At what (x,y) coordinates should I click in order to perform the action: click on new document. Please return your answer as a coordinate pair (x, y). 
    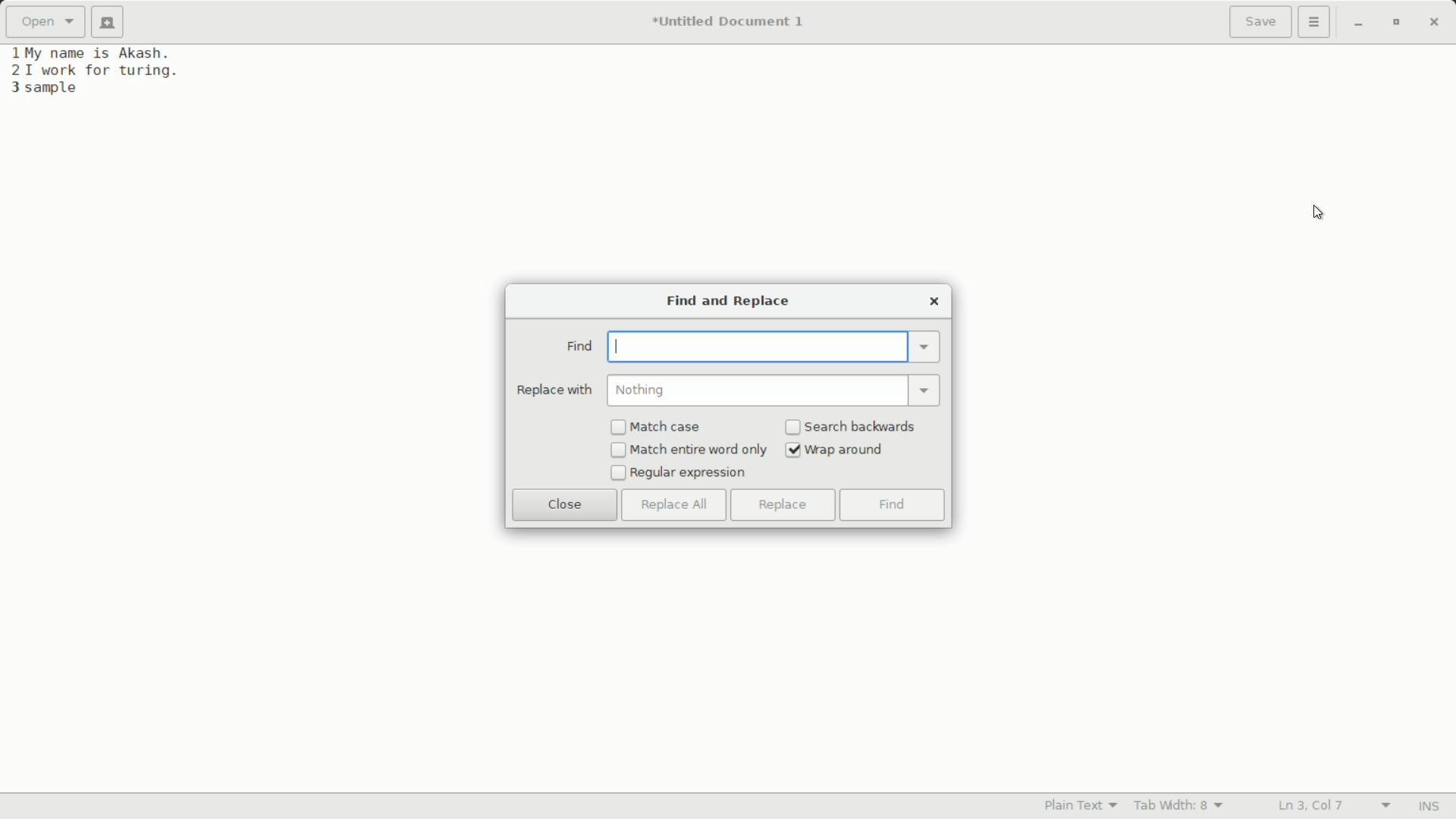
    Looking at the image, I should click on (112, 22).